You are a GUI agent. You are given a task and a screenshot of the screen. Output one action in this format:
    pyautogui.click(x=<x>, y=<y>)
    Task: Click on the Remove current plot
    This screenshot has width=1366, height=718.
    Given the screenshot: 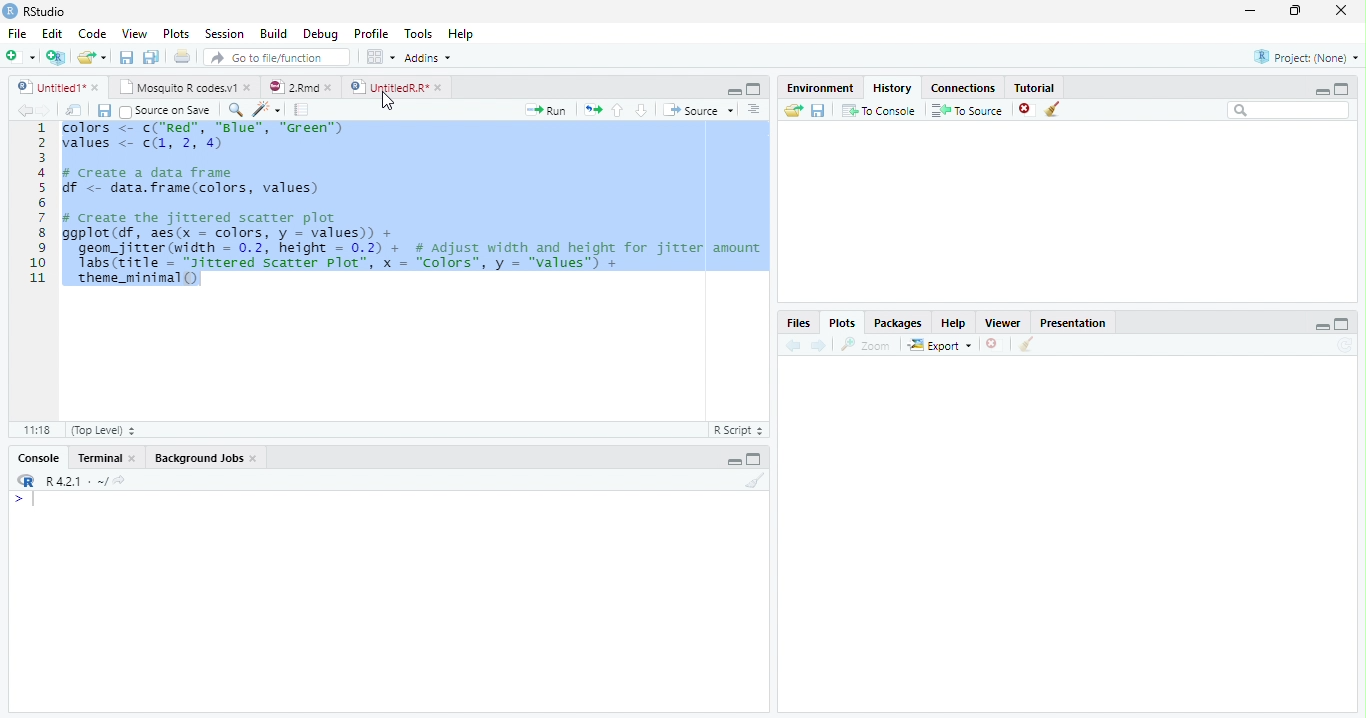 What is the action you would take?
    pyautogui.click(x=994, y=345)
    